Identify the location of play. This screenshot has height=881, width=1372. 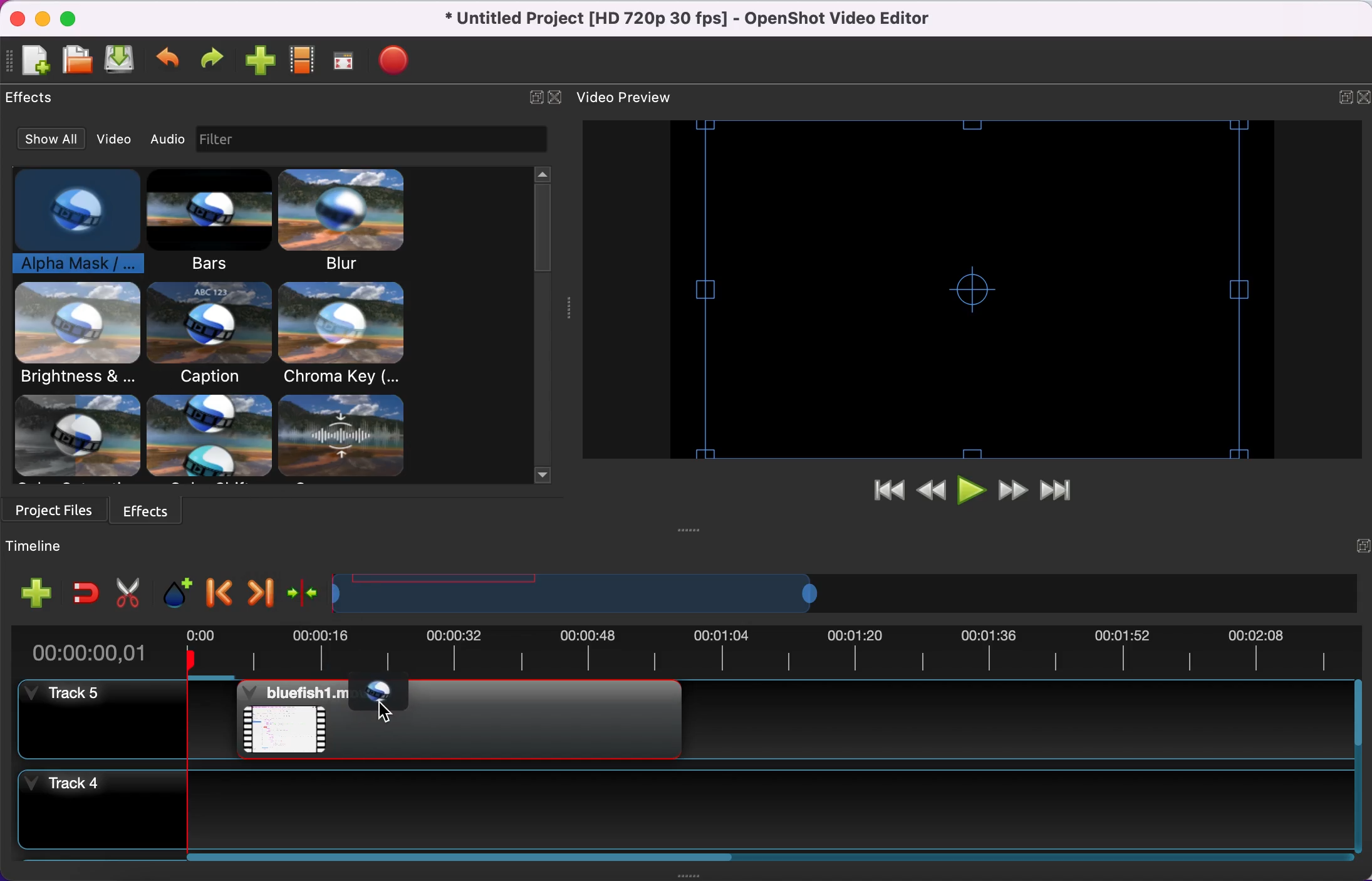
(972, 491).